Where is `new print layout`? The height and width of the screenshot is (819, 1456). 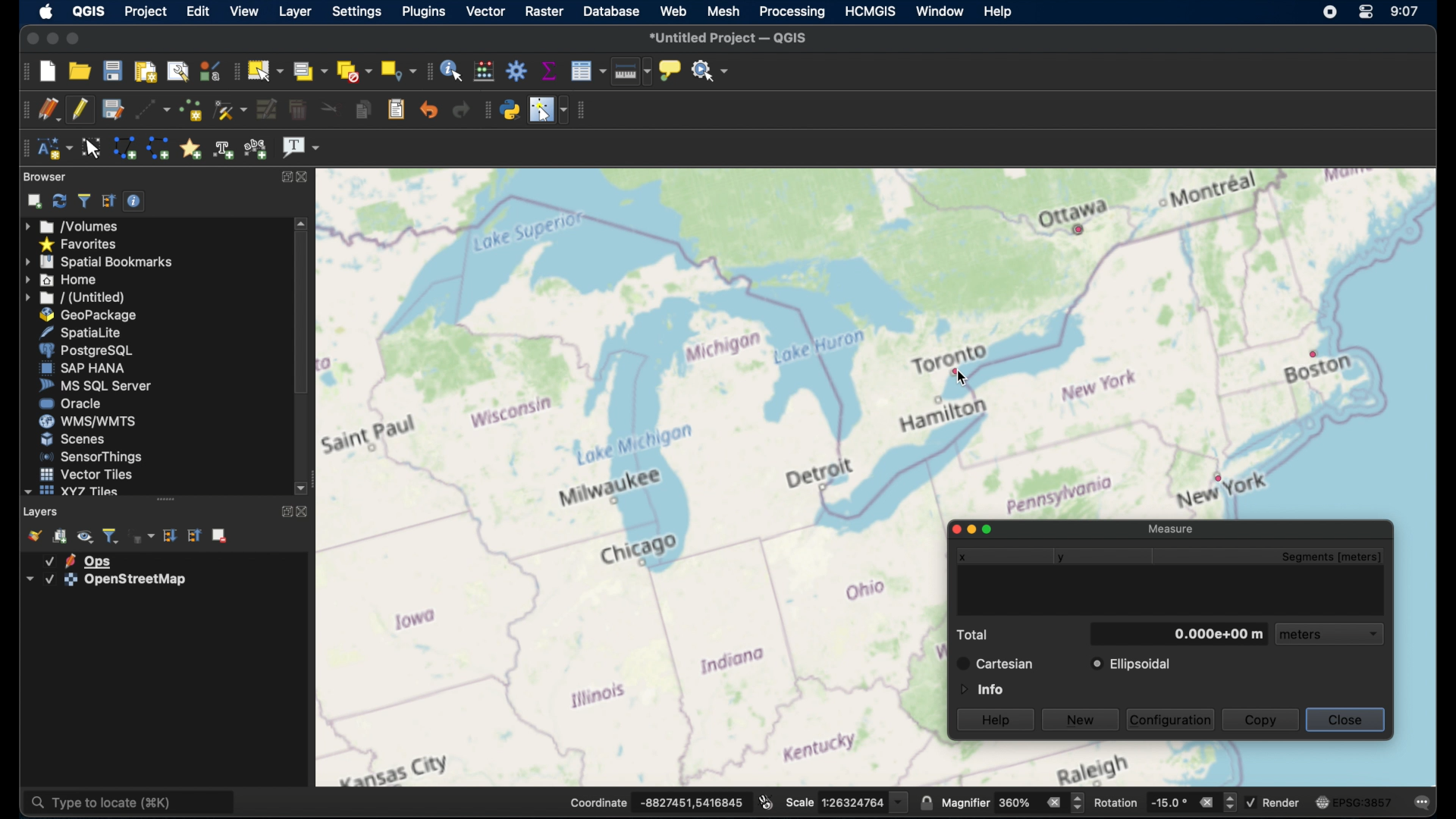
new print layout is located at coordinates (145, 69).